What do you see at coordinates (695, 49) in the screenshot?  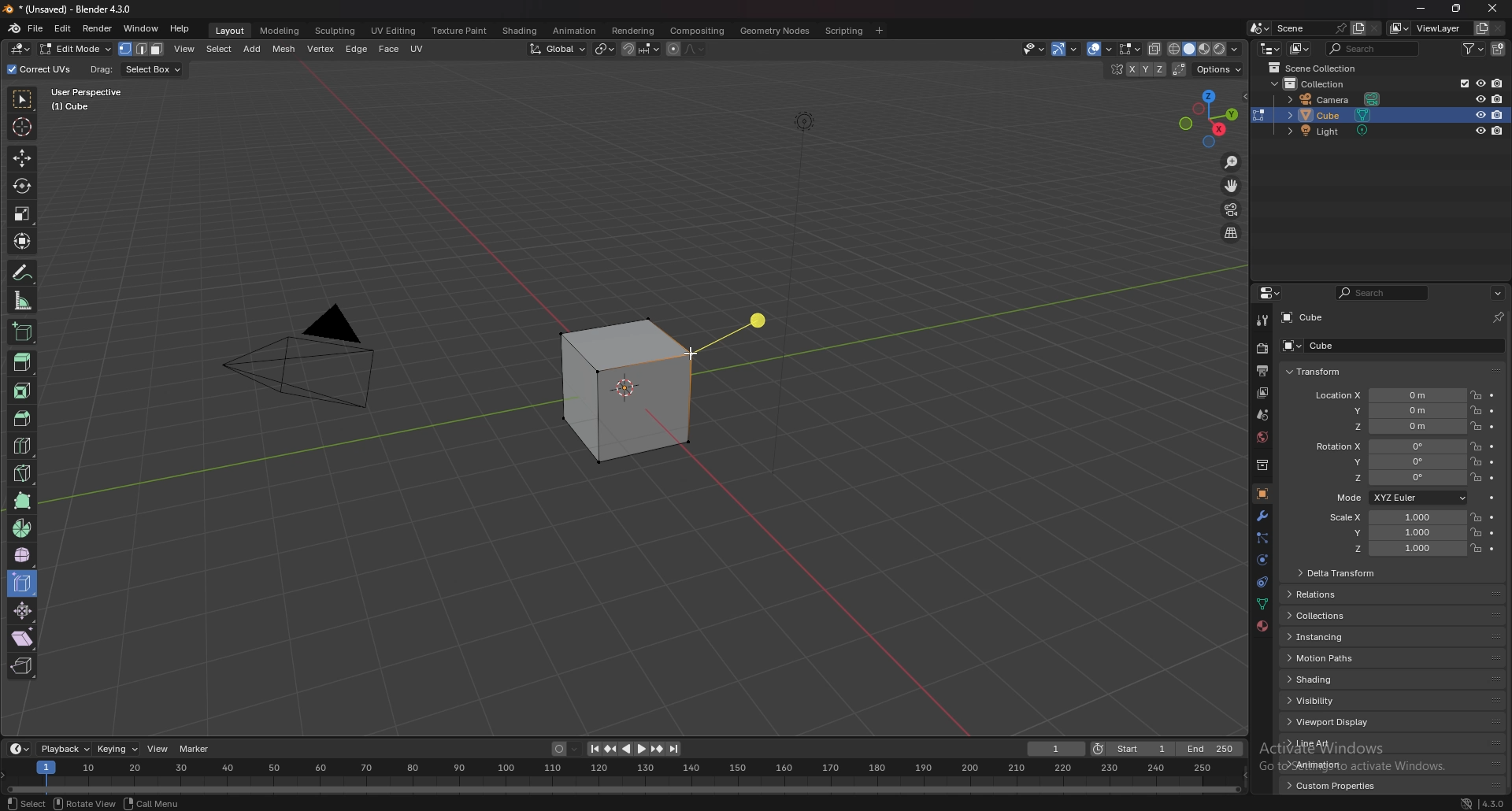 I see `proportional editing falloff` at bounding box center [695, 49].